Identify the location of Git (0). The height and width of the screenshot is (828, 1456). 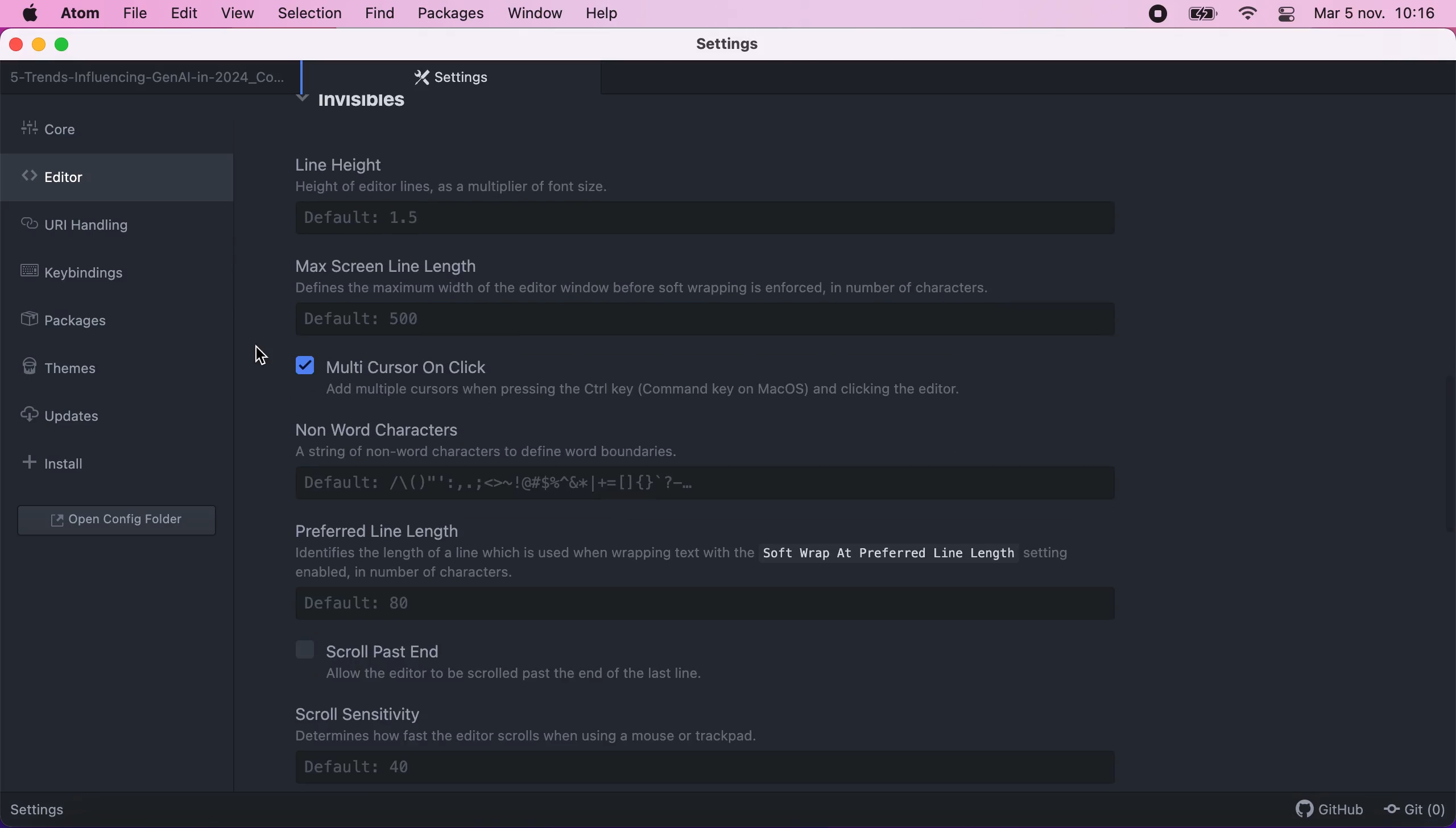
(1411, 809).